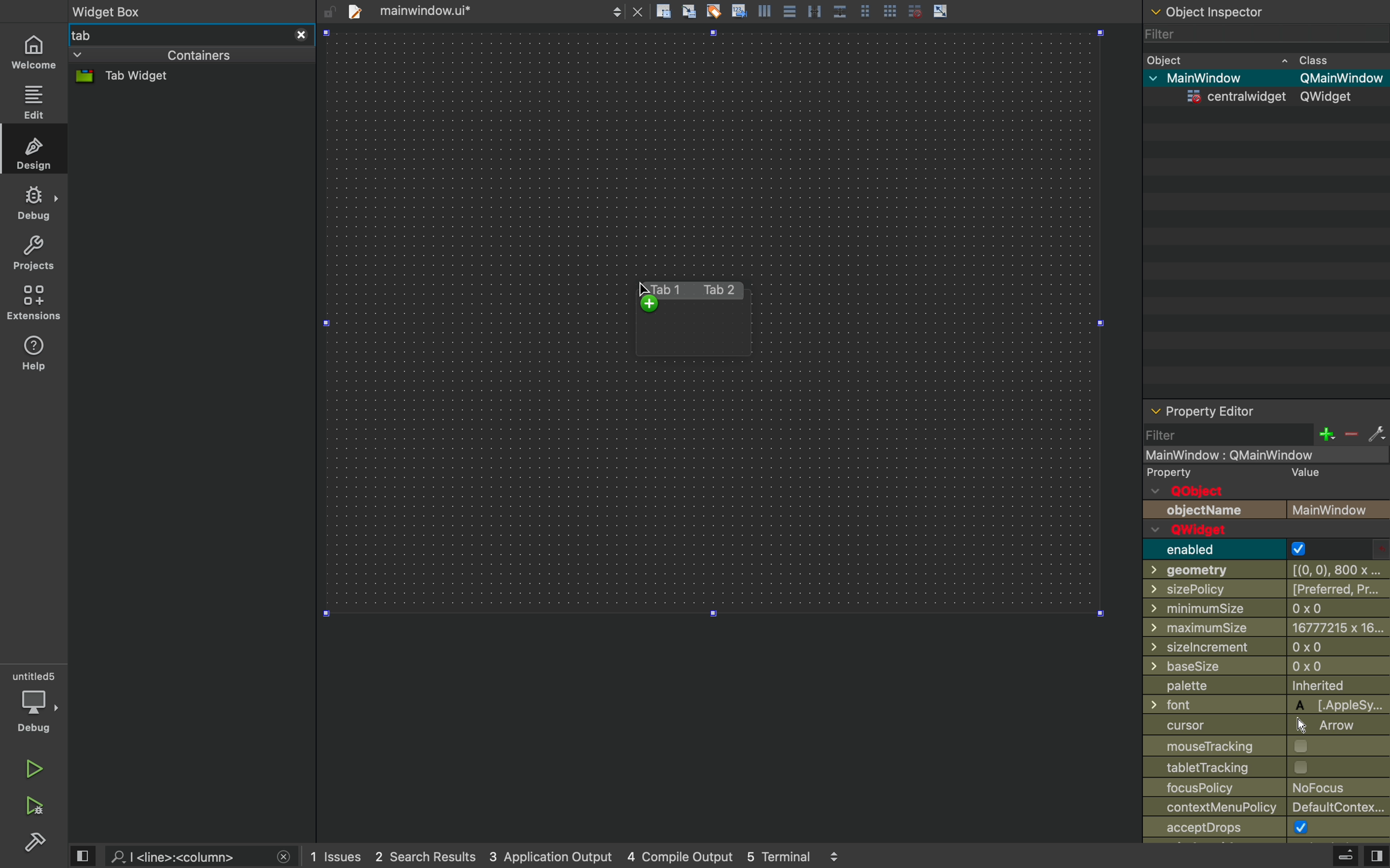 The height and width of the screenshot is (868, 1390). Describe the element at coordinates (716, 323) in the screenshot. I see `Design area` at that location.